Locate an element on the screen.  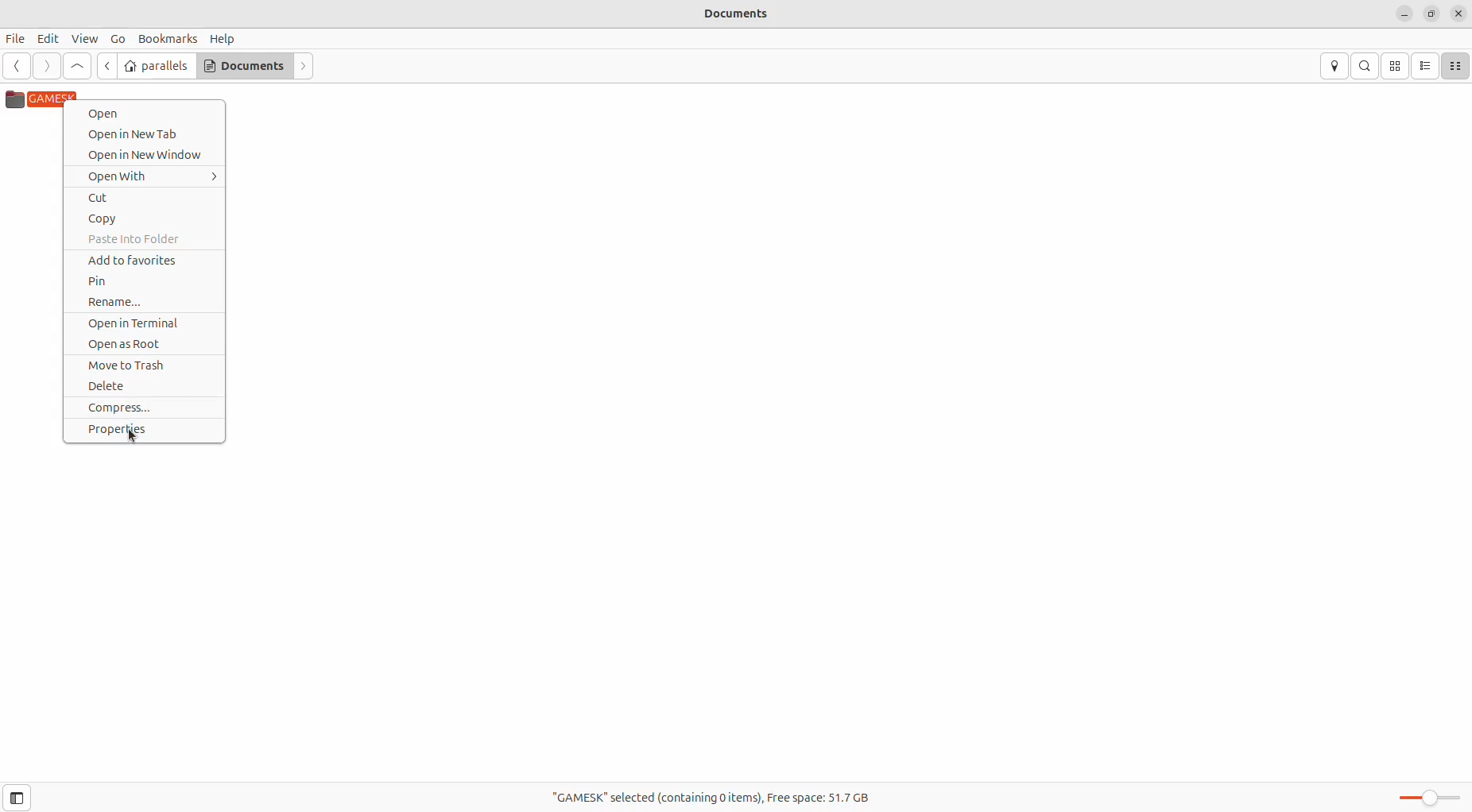
move to trash is located at coordinates (143, 366).